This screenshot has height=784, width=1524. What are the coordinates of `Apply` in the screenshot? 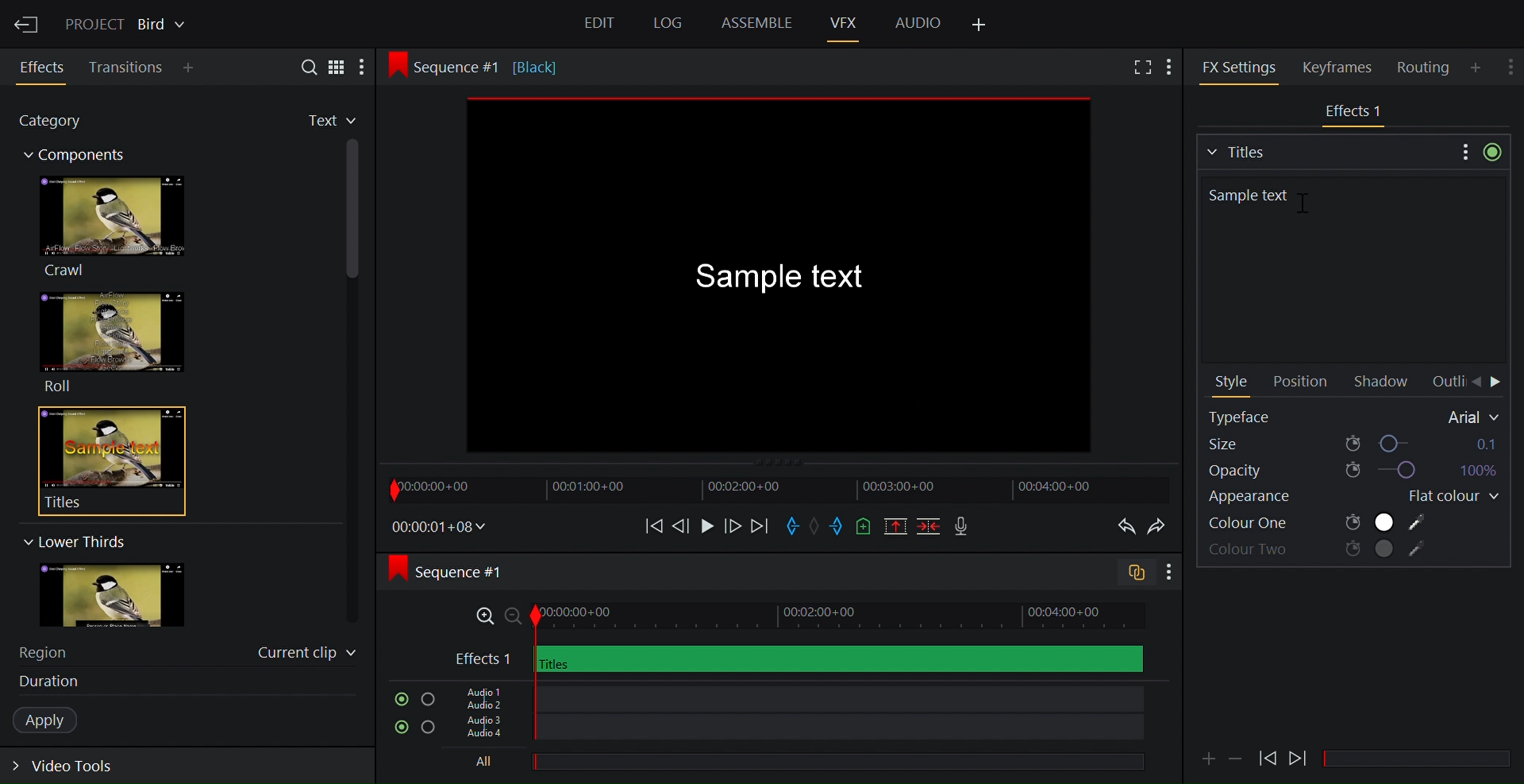 It's located at (53, 721).